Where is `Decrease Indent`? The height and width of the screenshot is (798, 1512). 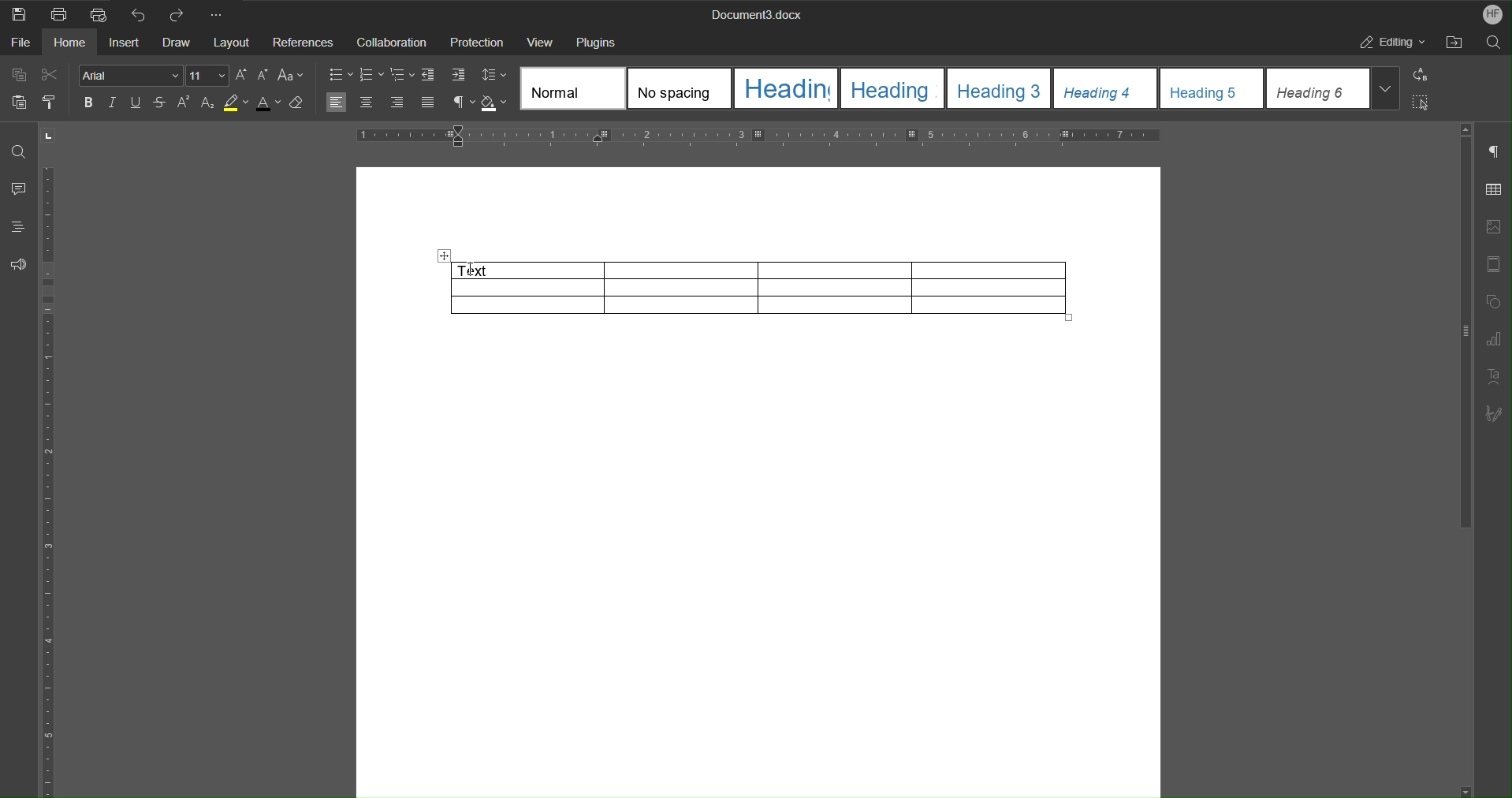
Decrease Indent is located at coordinates (430, 75).